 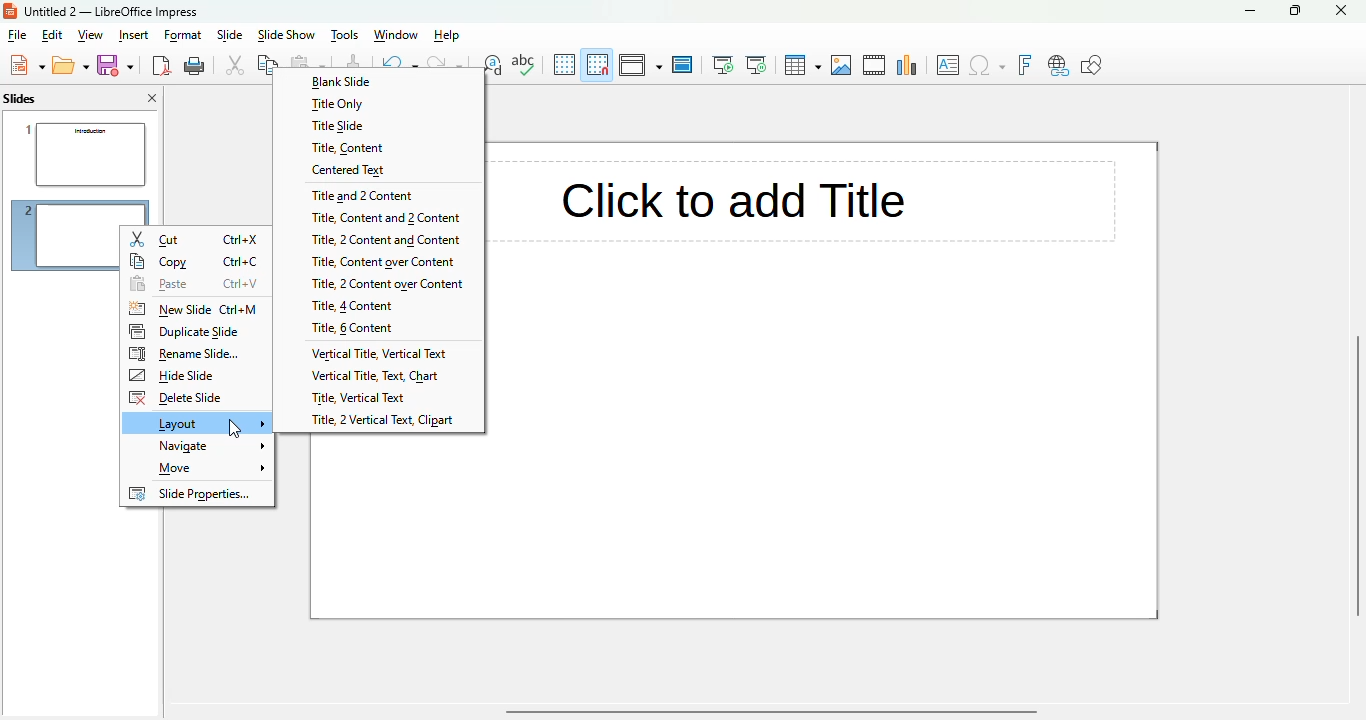 I want to click on vertical scrollbar, so click(x=1357, y=476).